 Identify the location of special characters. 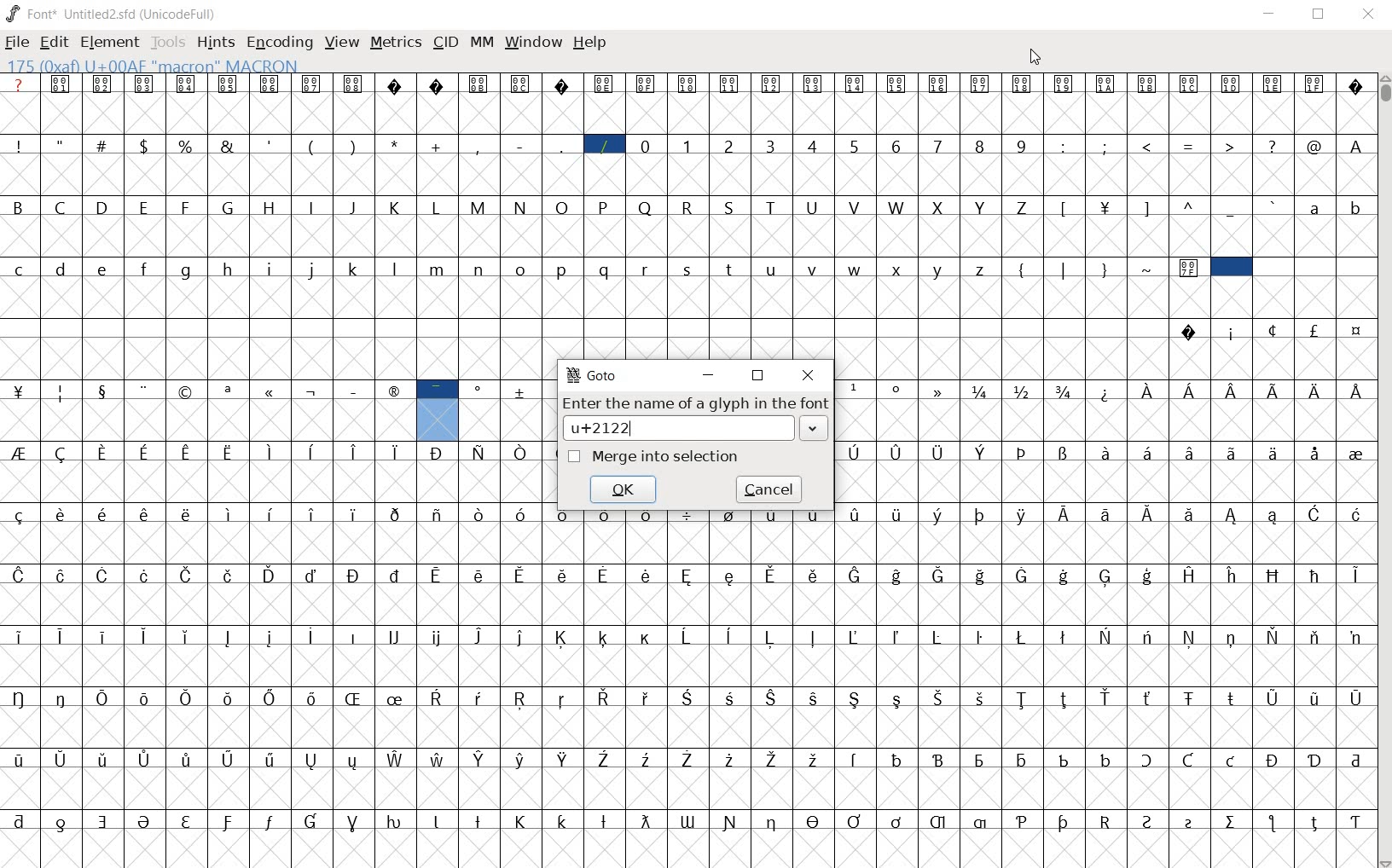
(1021, 472).